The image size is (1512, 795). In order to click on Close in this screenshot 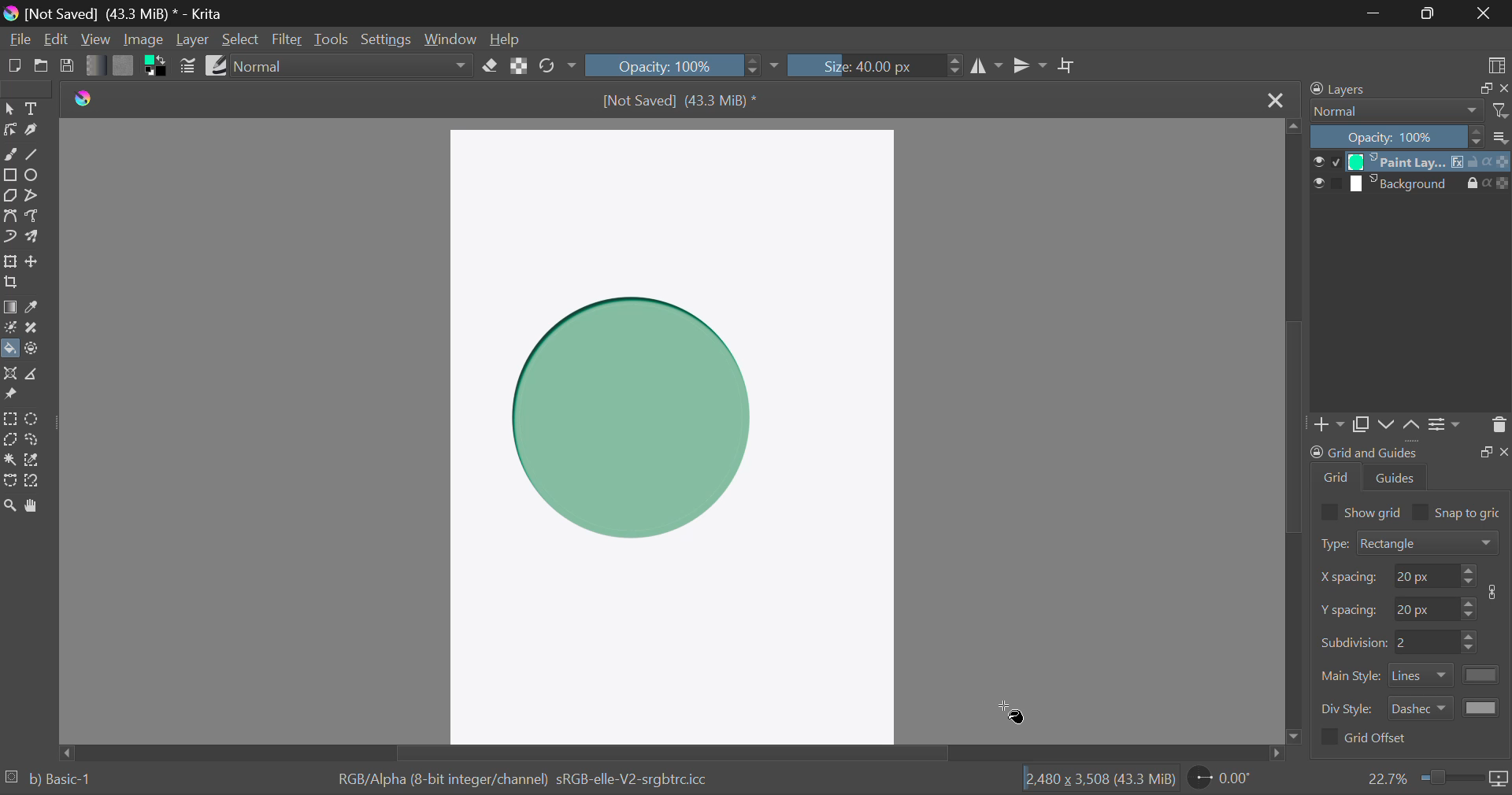, I will do `click(1274, 100)`.